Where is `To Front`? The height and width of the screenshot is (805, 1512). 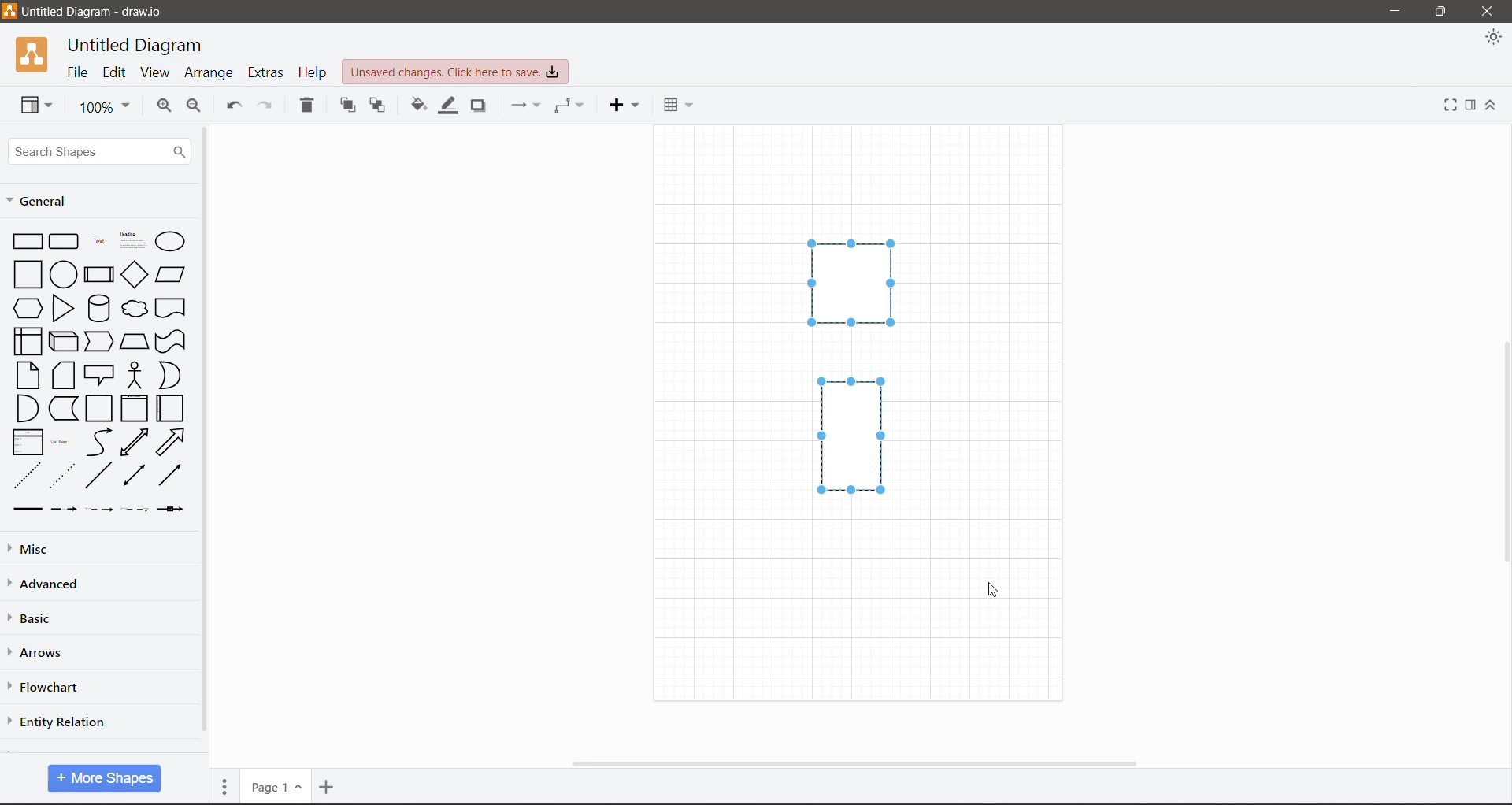 To Front is located at coordinates (347, 106).